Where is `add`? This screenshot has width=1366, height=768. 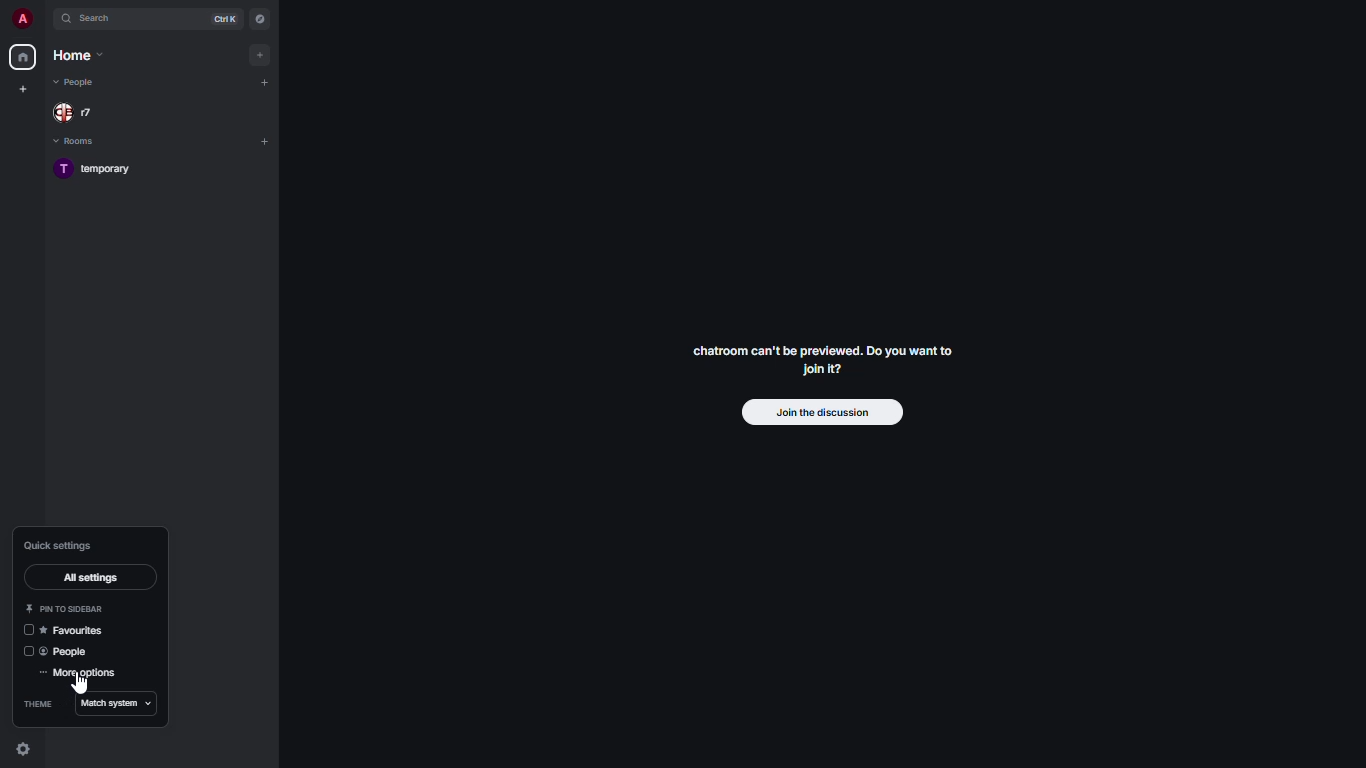
add is located at coordinates (265, 82).